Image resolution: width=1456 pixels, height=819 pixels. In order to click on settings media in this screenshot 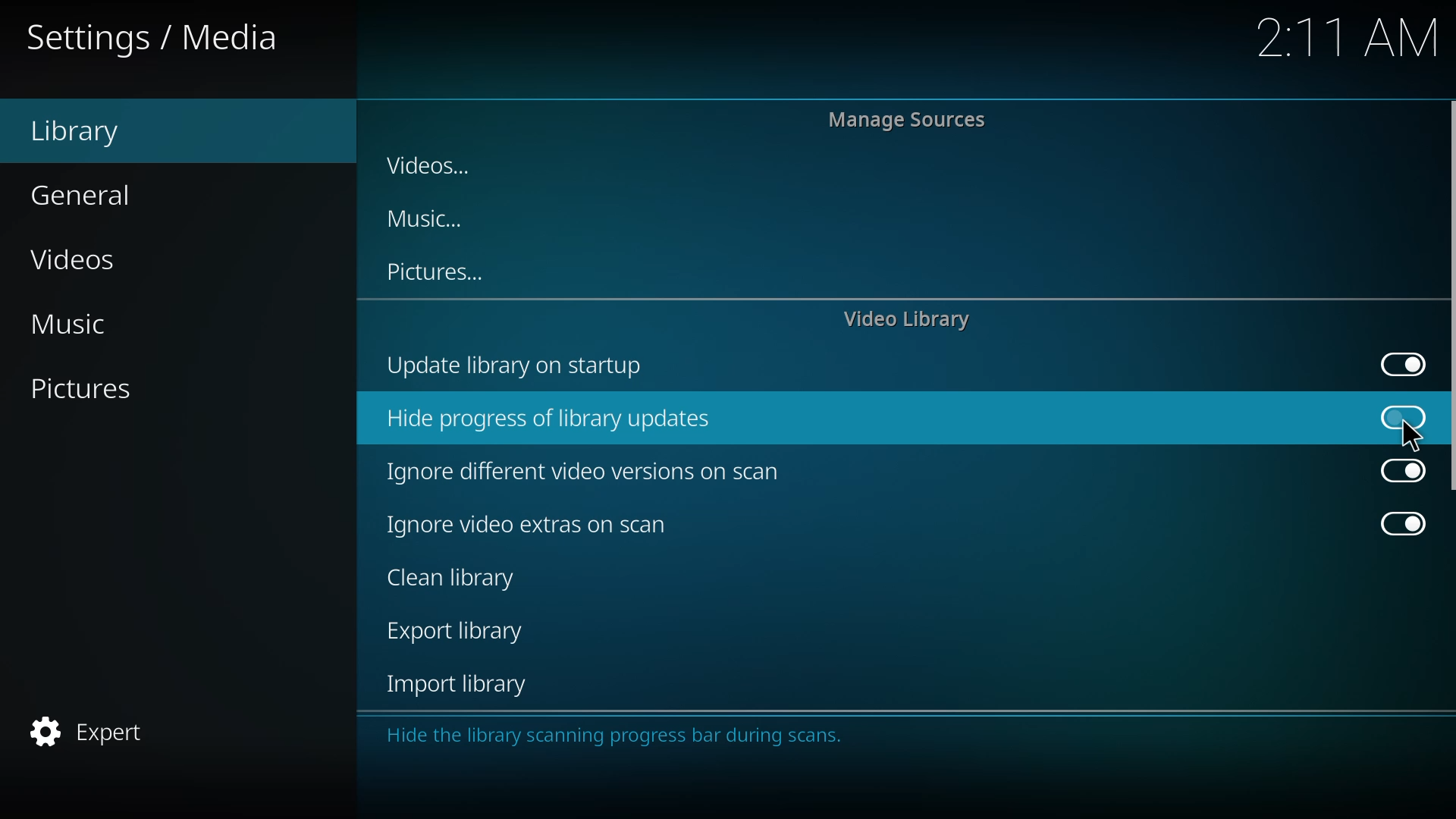, I will do `click(155, 39)`.